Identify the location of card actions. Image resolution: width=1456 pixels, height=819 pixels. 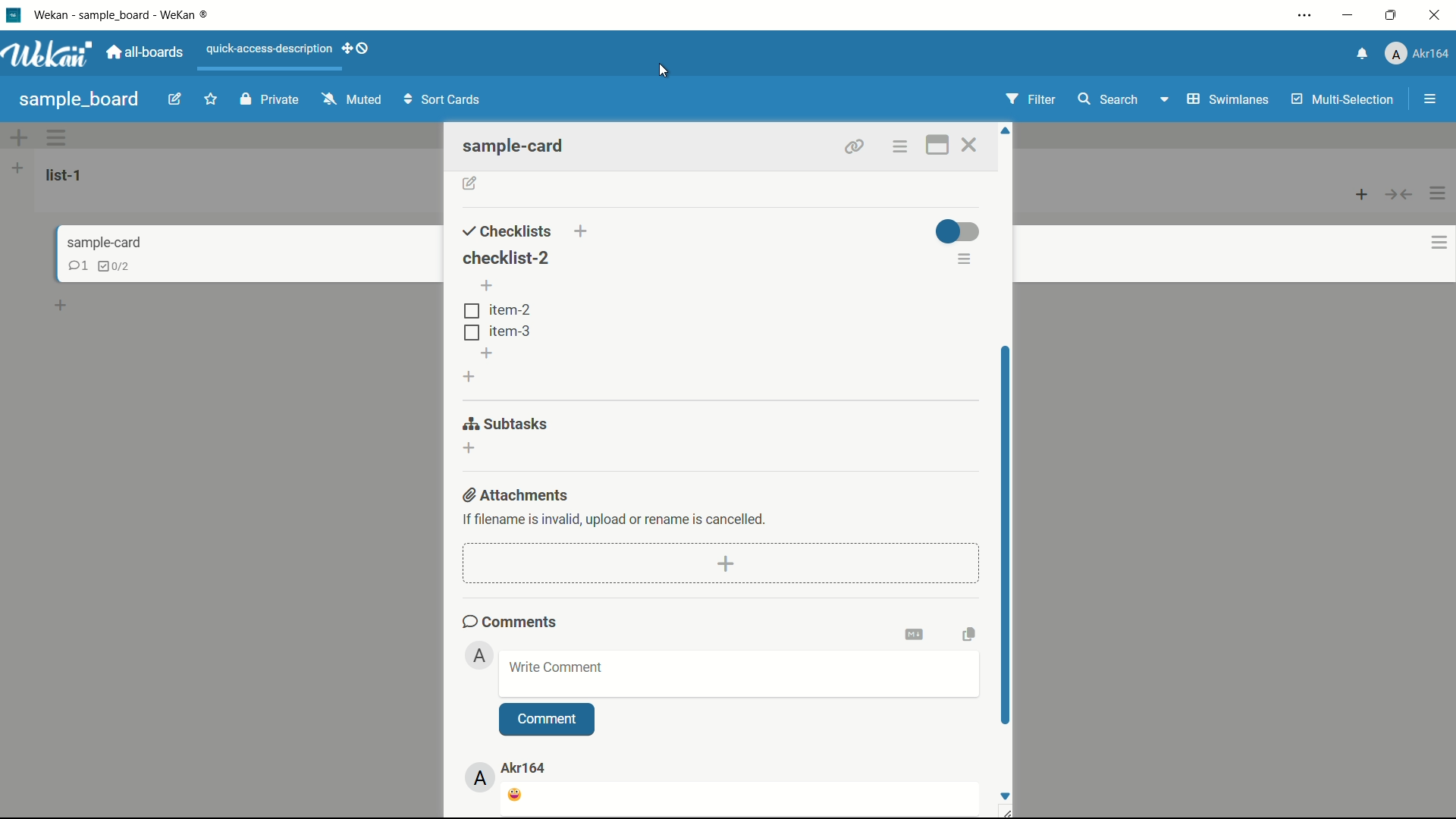
(1428, 243).